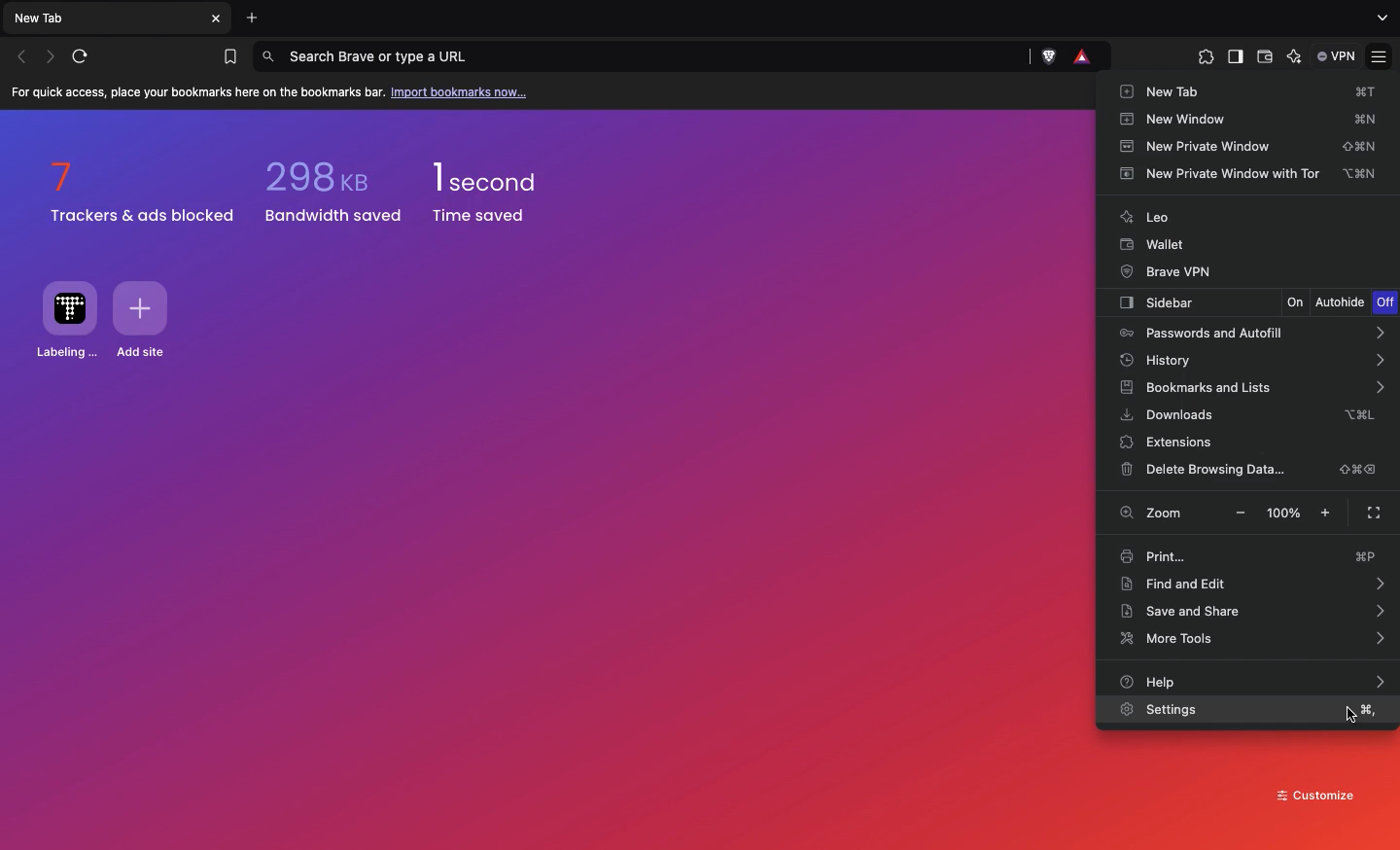  Describe the element at coordinates (253, 18) in the screenshot. I see `Add new tab` at that location.